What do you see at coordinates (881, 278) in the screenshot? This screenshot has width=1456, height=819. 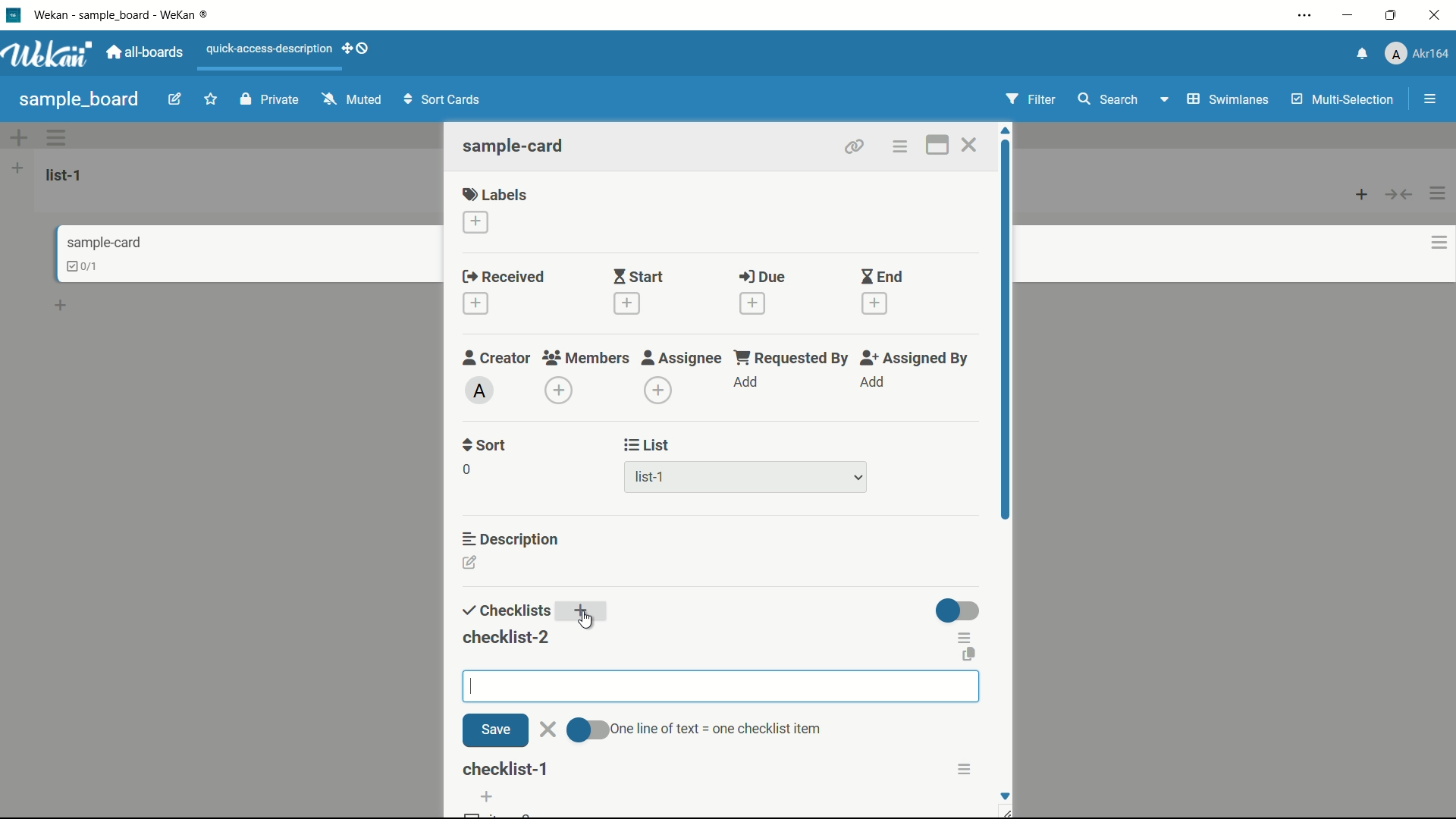 I see `end` at bounding box center [881, 278].